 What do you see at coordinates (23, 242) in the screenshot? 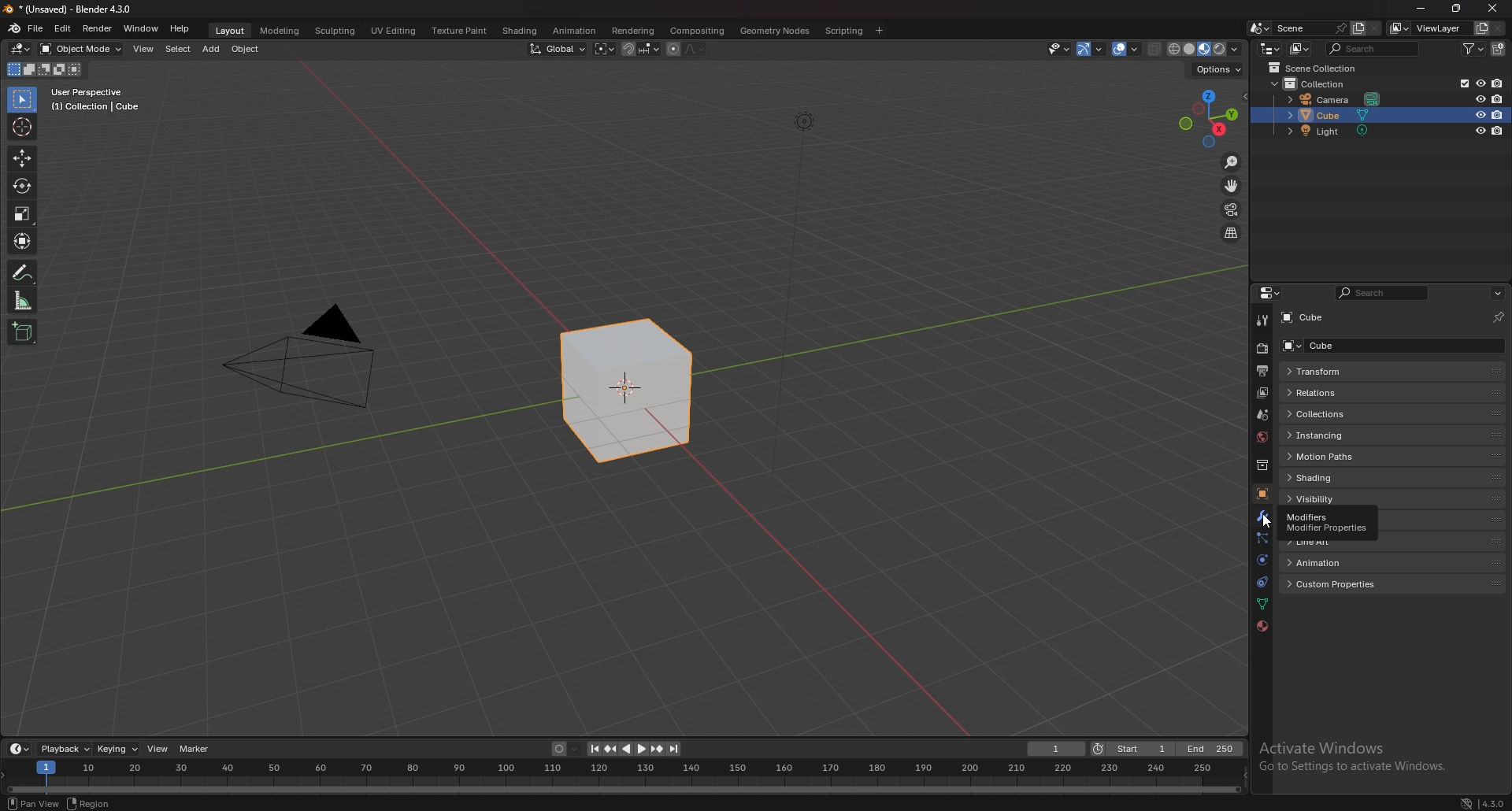
I see `transform` at bounding box center [23, 242].